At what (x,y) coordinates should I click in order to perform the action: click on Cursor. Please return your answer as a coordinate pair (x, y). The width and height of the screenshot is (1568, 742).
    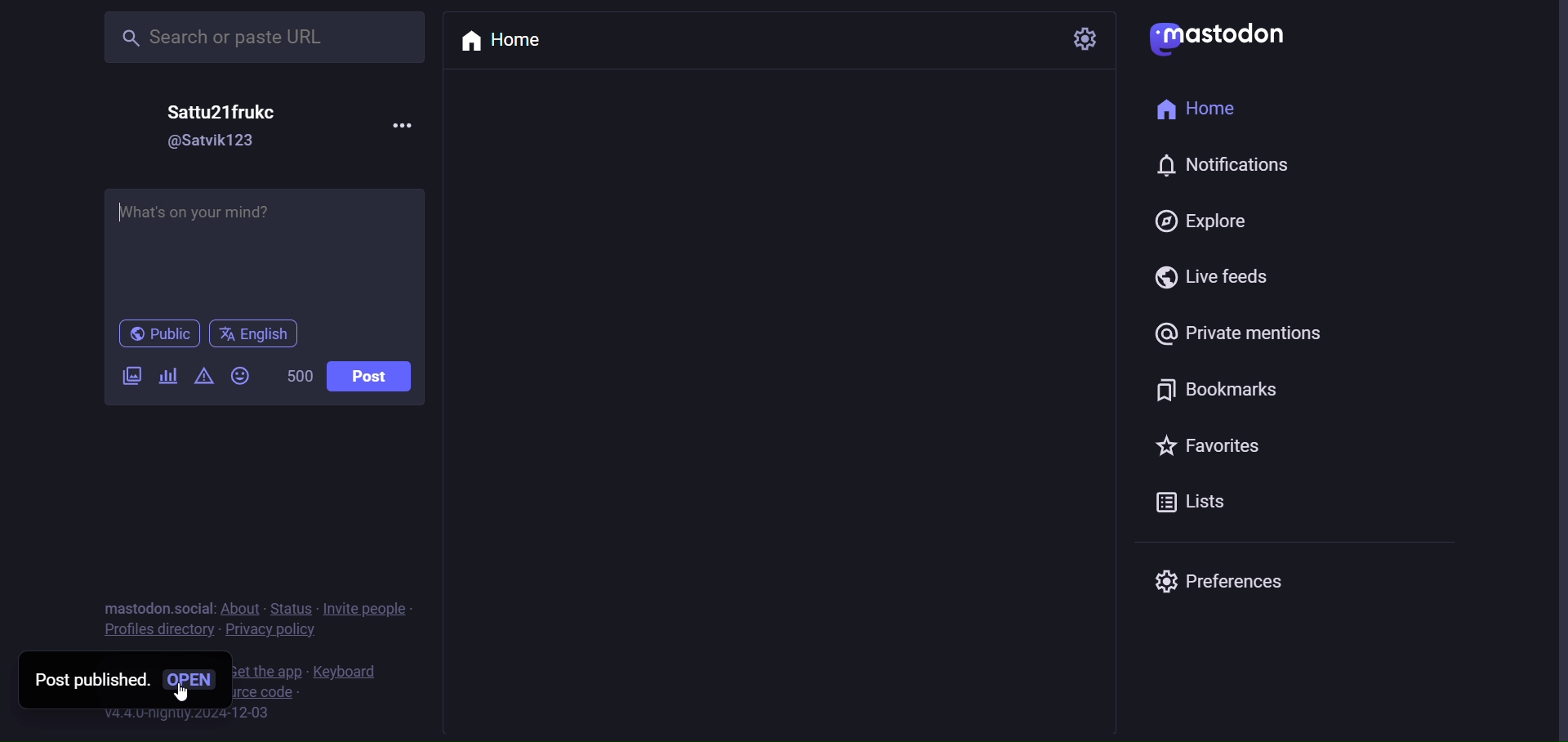
    Looking at the image, I should click on (180, 691).